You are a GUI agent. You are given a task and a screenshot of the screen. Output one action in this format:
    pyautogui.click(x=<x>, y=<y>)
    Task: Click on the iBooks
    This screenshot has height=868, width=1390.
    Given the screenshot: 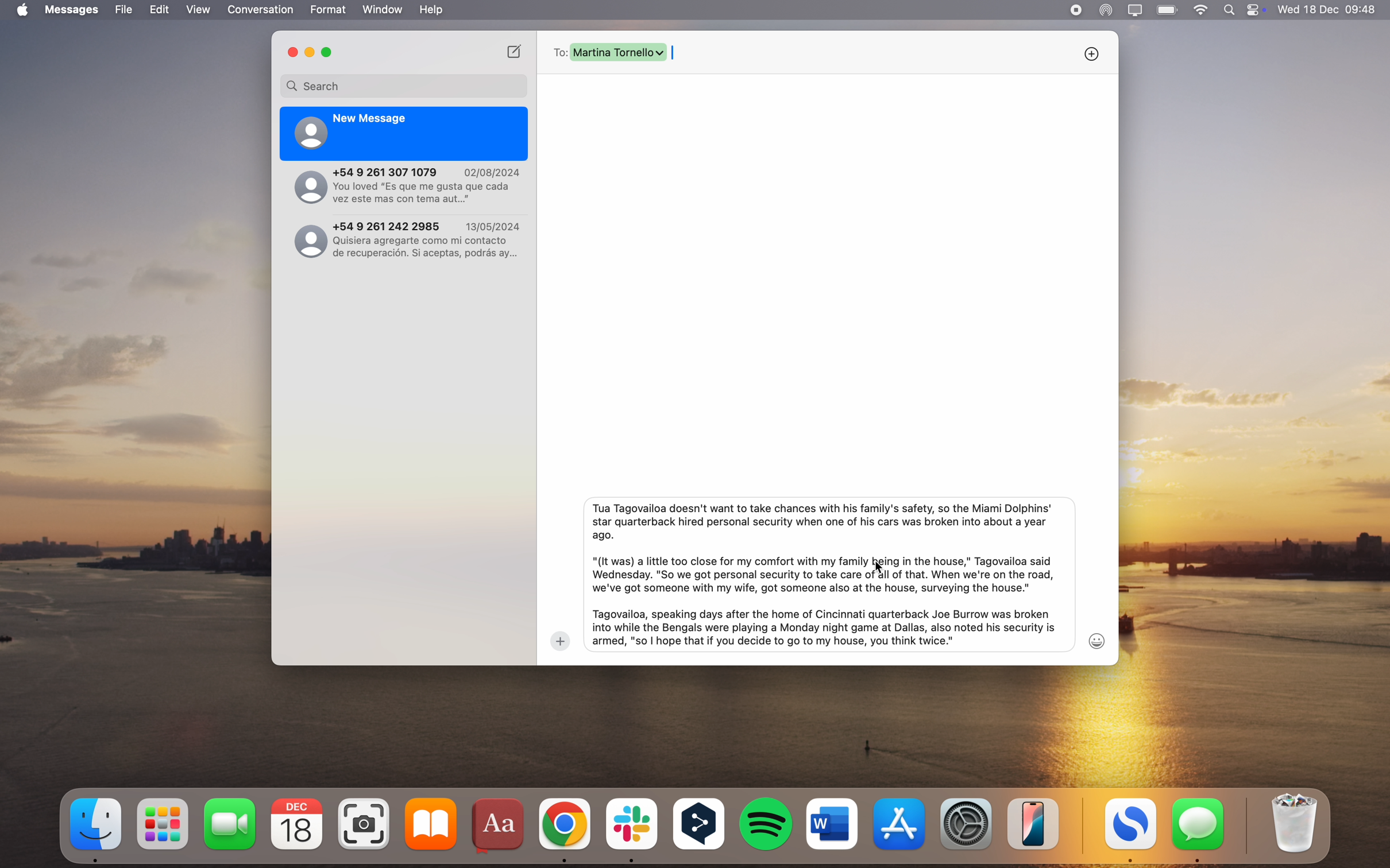 What is the action you would take?
    pyautogui.click(x=431, y=824)
    